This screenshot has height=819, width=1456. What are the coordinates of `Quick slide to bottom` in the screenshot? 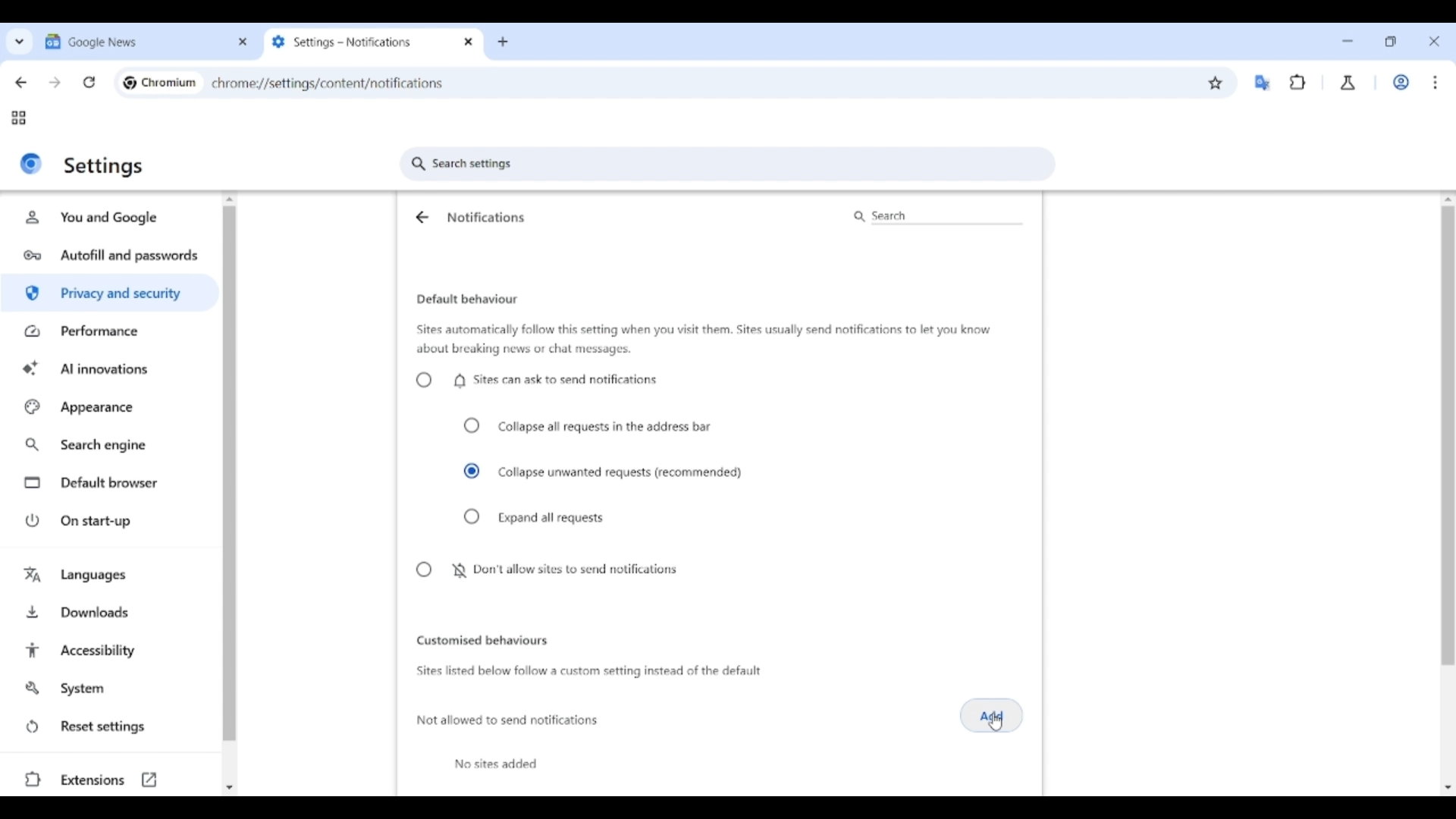 It's located at (229, 788).